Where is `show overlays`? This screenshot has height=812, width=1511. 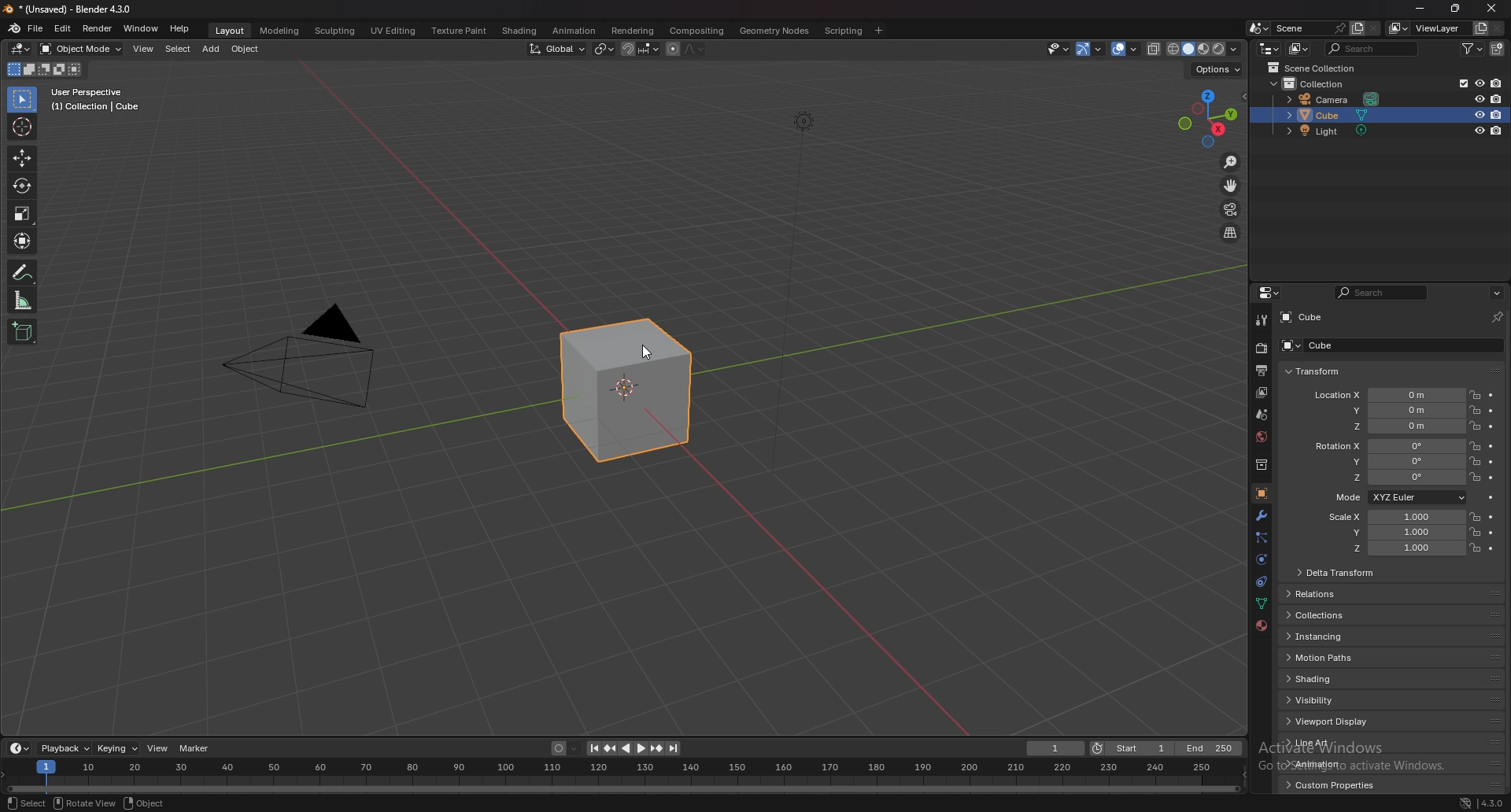 show overlays is located at coordinates (1126, 48).